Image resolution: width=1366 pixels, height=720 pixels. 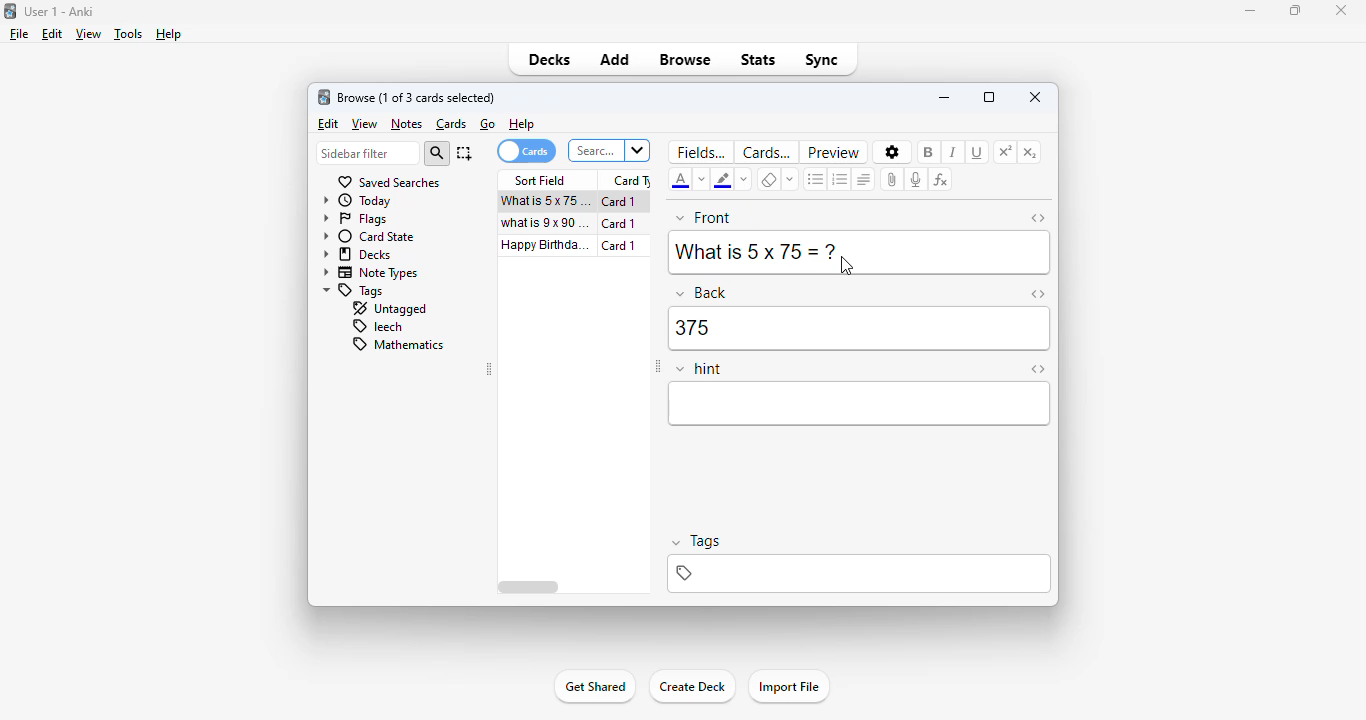 What do you see at coordinates (702, 181) in the screenshot?
I see `change color` at bounding box center [702, 181].